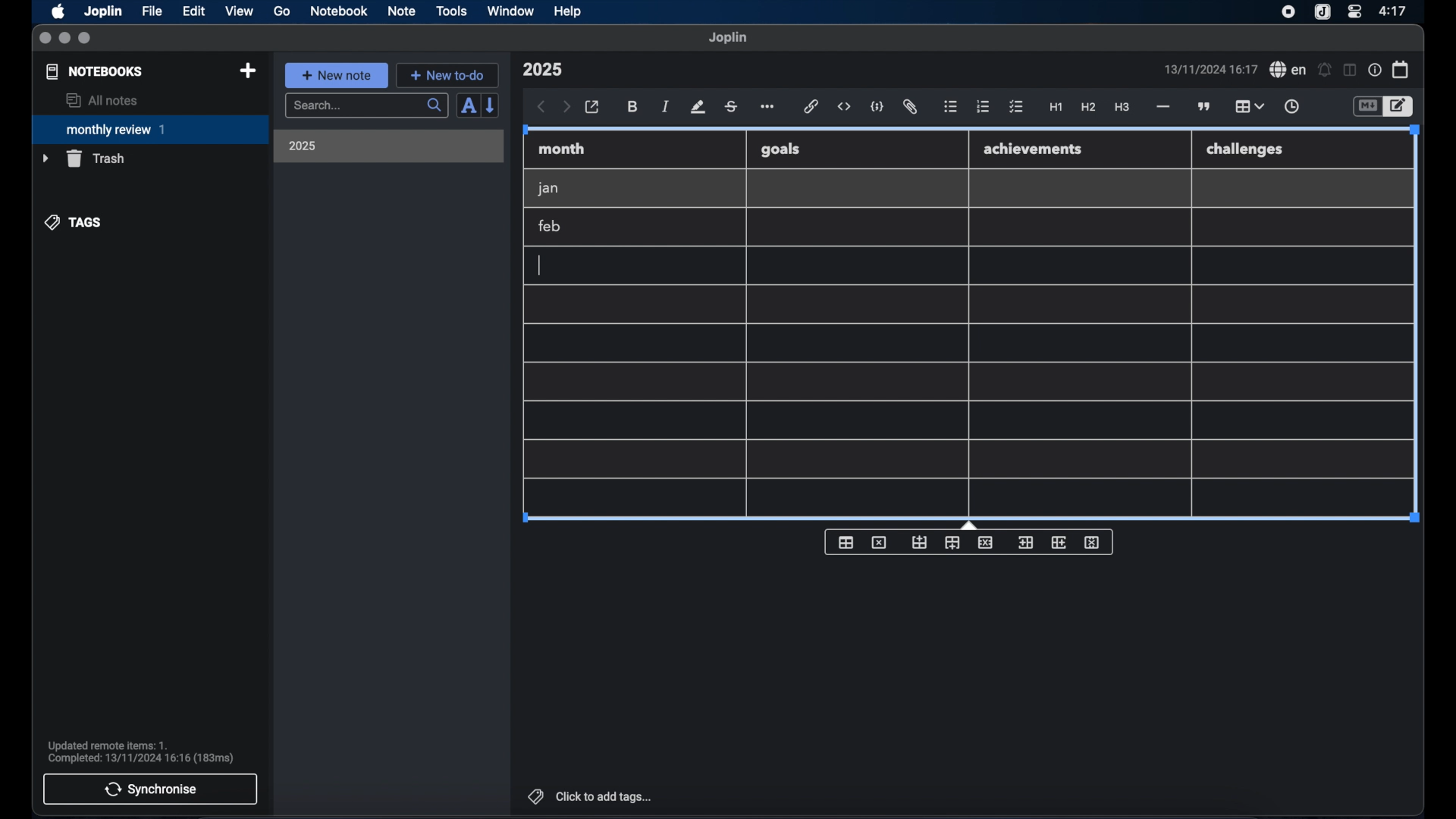  What do you see at coordinates (105, 12) in the screenshot?
I see `Joplin` at bounding box center [105, 12].